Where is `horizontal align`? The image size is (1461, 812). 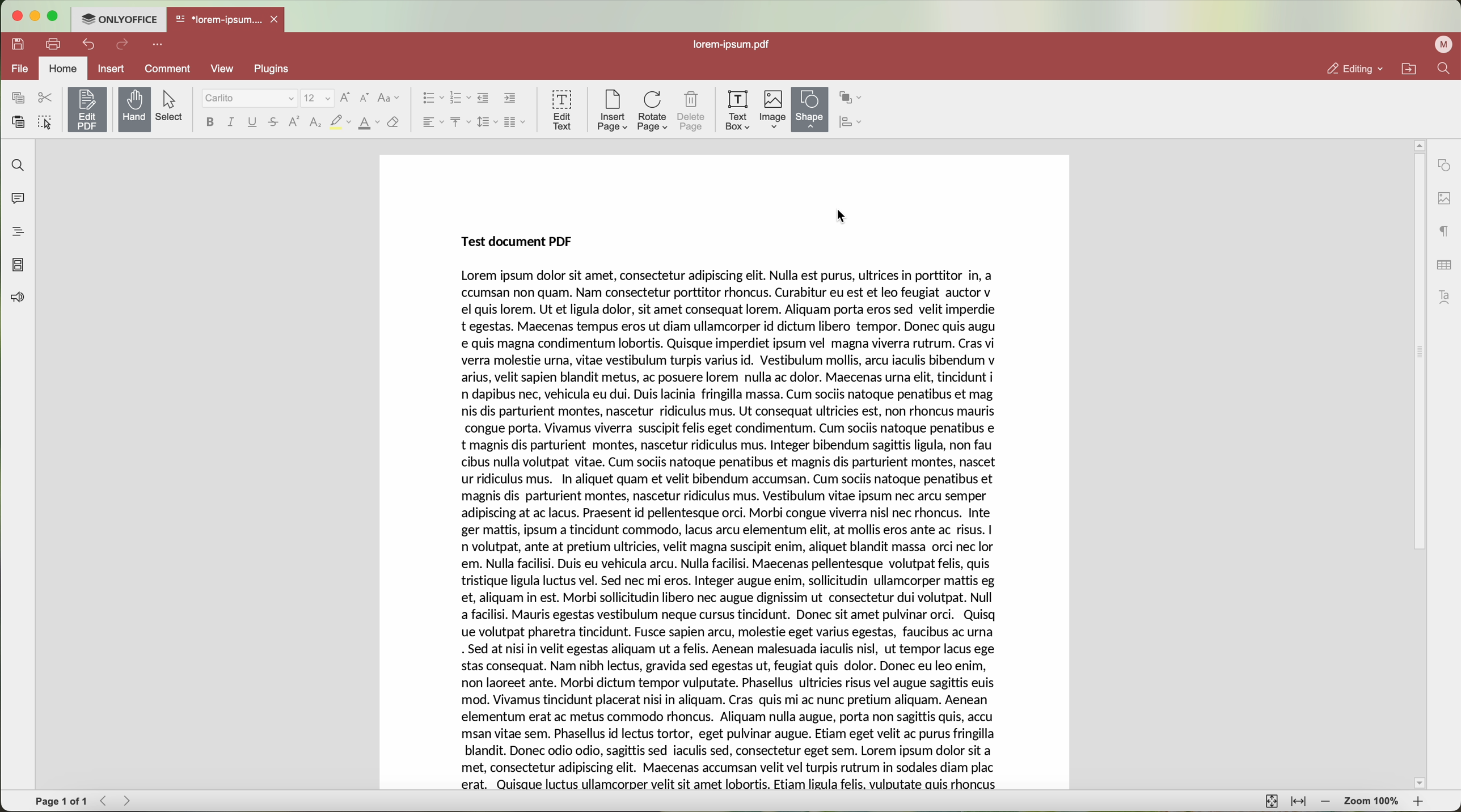 horizontal align is located at coordinates (430, 122).